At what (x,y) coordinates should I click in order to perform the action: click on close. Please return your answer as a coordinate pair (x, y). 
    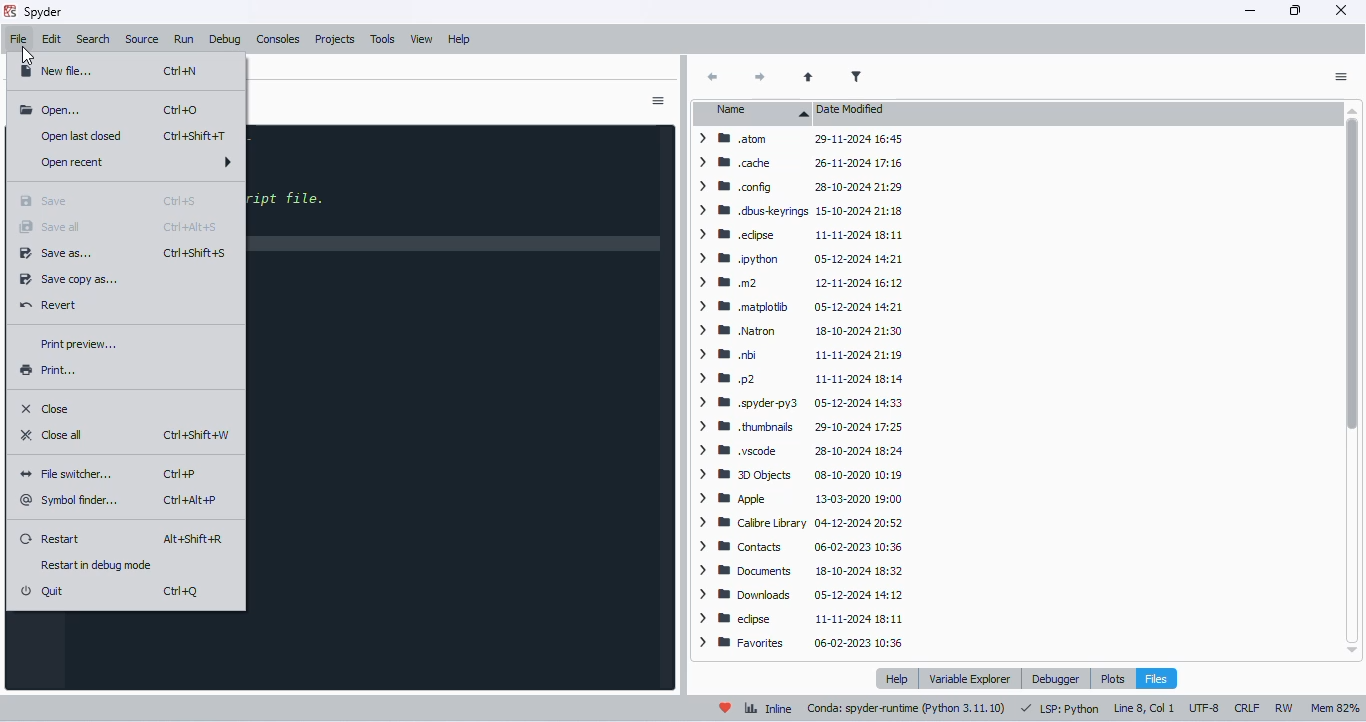
    Looking at the image, I should click on (1341, 10).